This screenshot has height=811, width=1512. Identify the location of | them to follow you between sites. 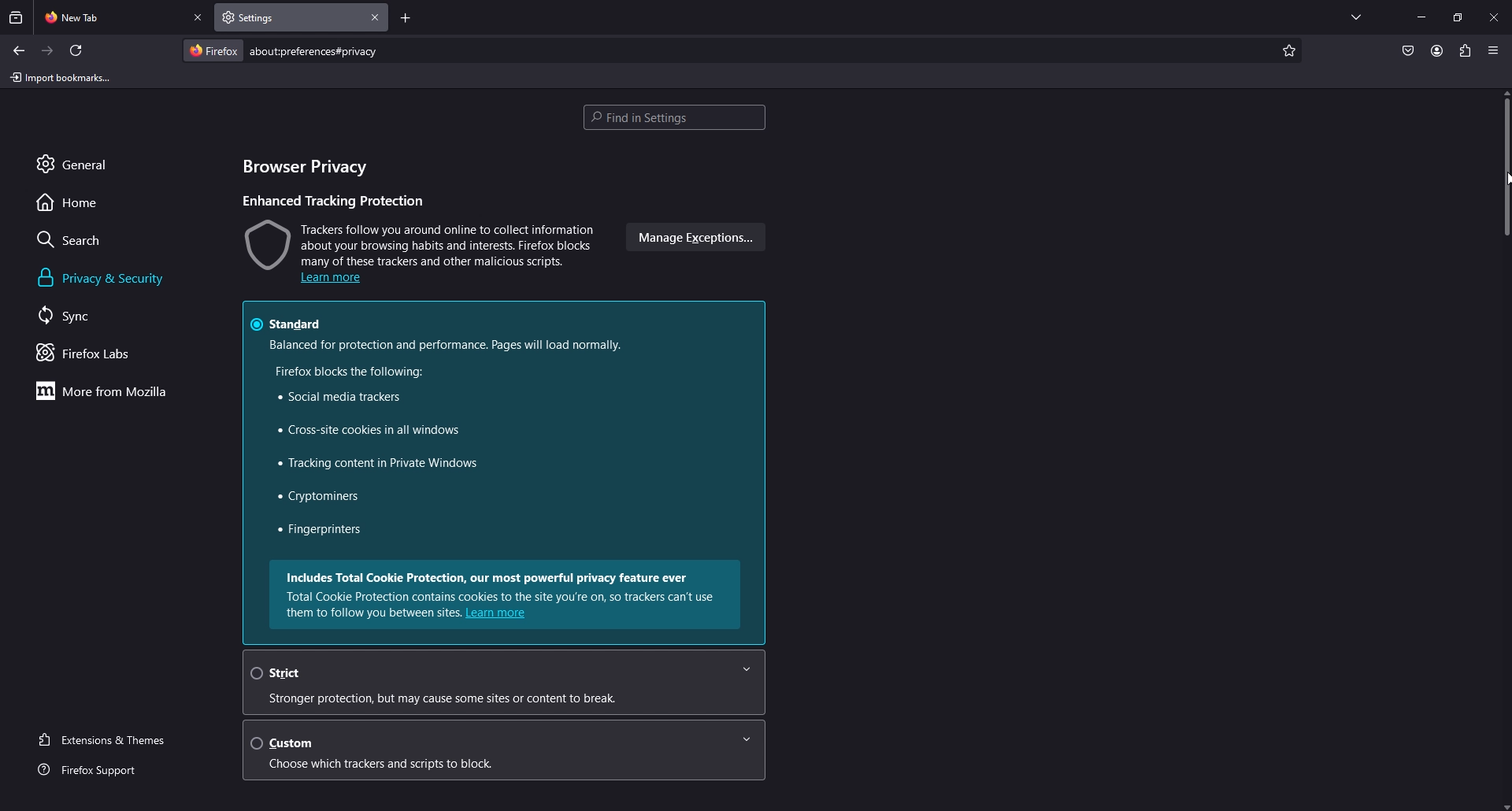
(369, 613).